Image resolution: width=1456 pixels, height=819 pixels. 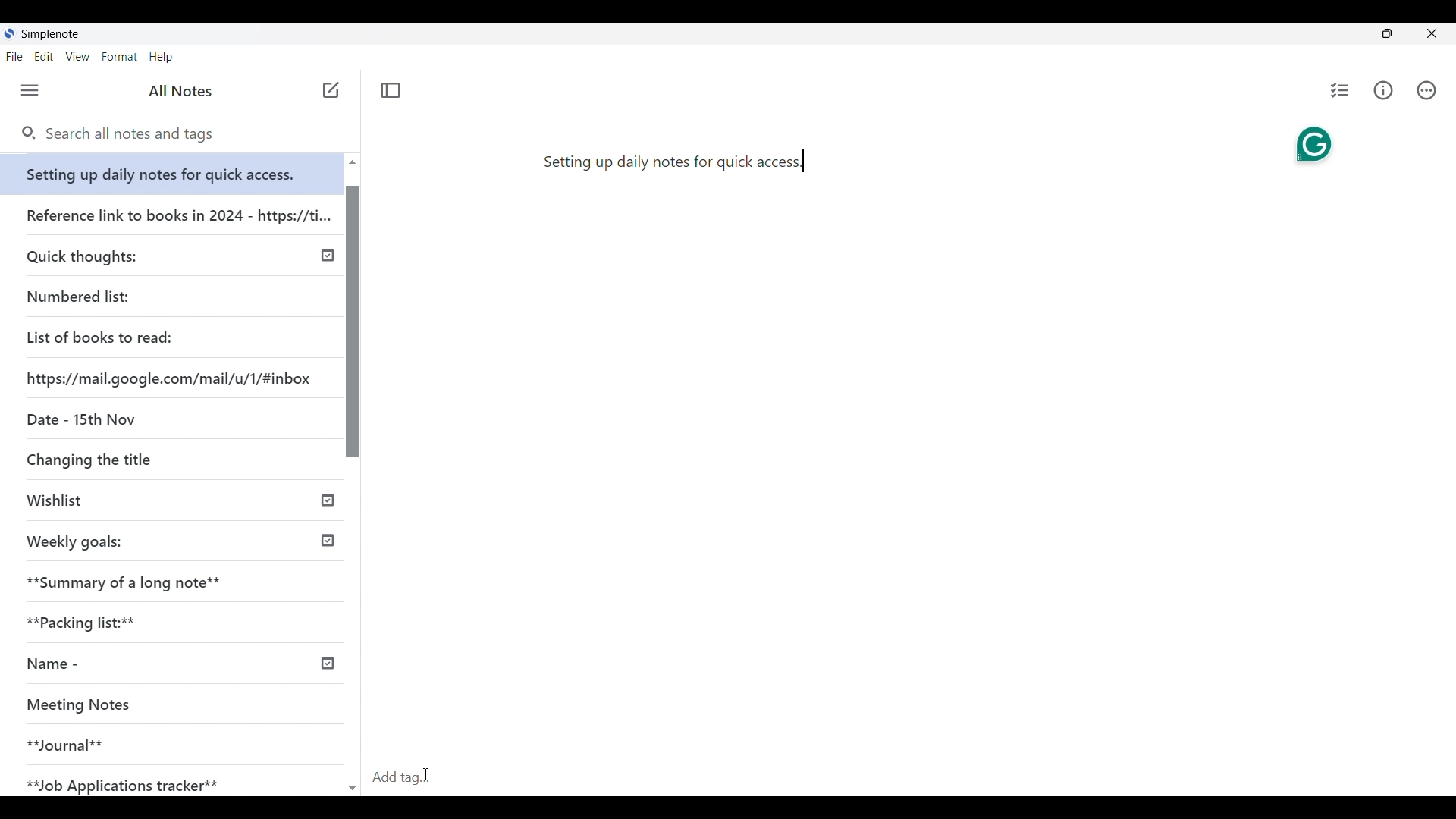 What do you see at coordinates (10, 33) in the screenshot?
I see `Software logo` at bounding box center [10, 33].